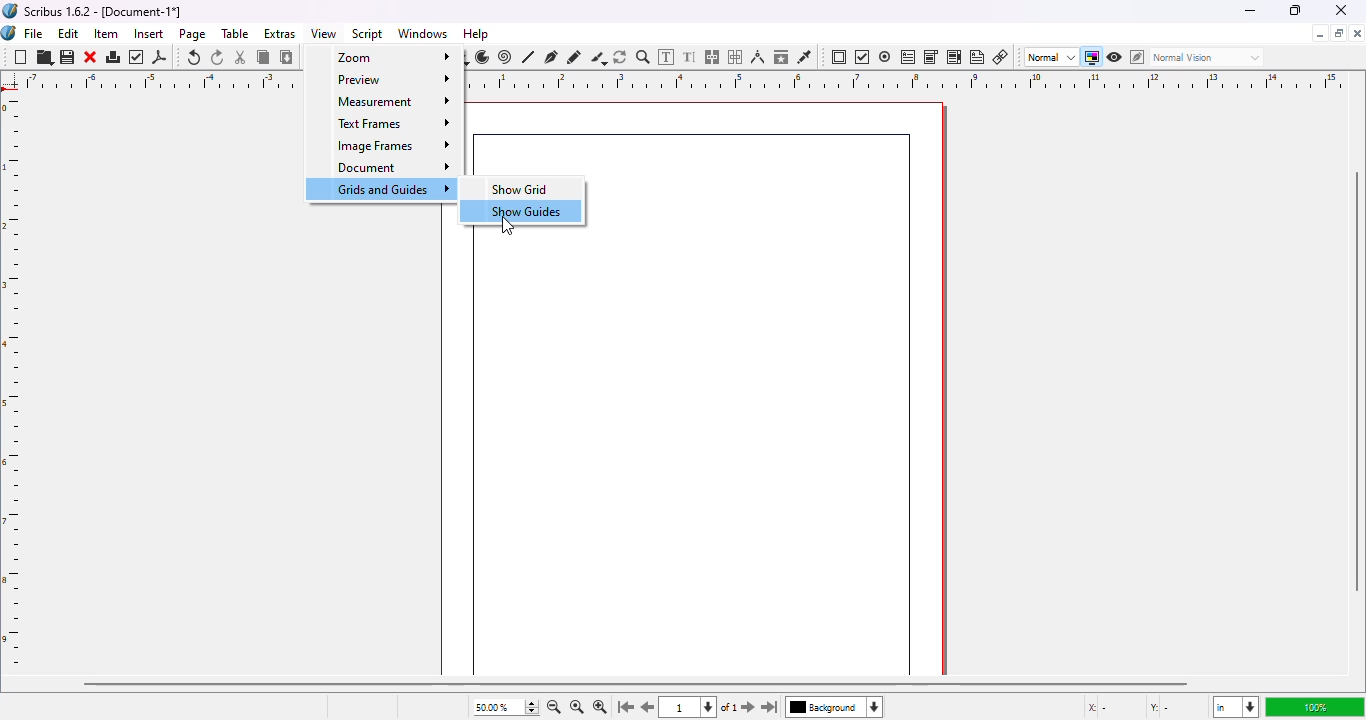  I want to click on item, so click(107, 34).